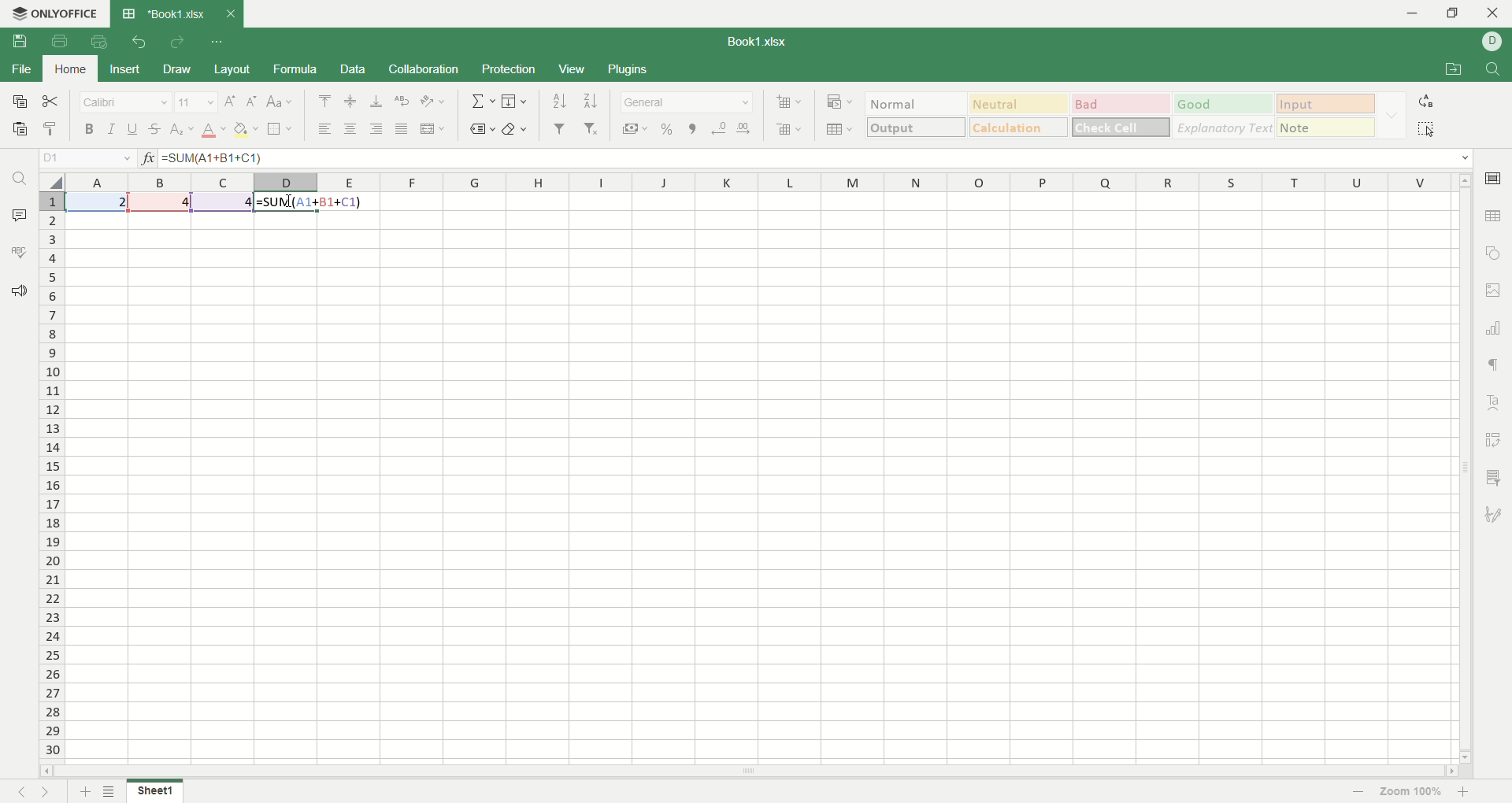 This screenshot has height=803, width=1512. I want to click on accounting style, so click(631, 128).